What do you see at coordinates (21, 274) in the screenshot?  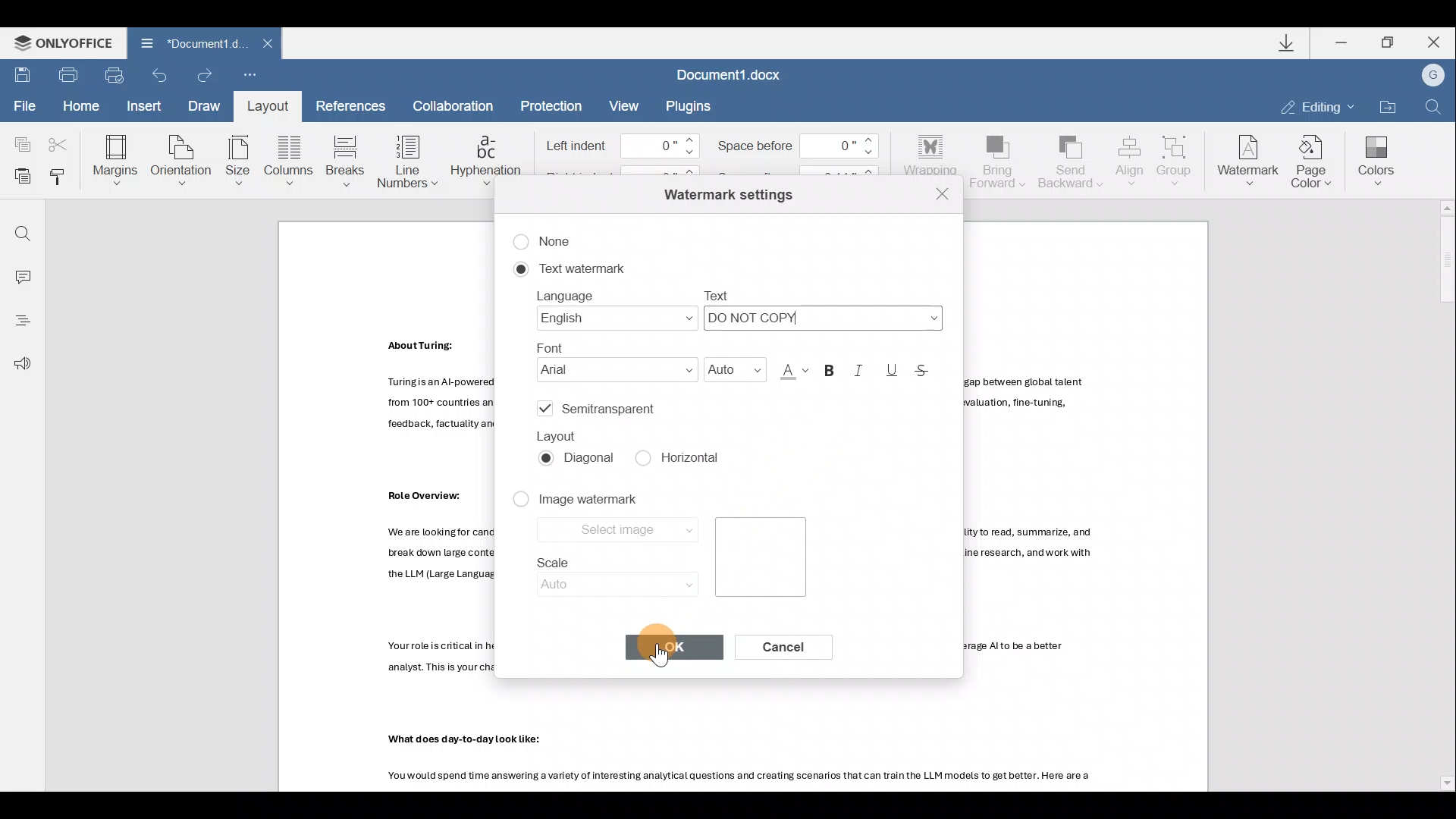 I see `Comment` at bounding box center [21, 274].